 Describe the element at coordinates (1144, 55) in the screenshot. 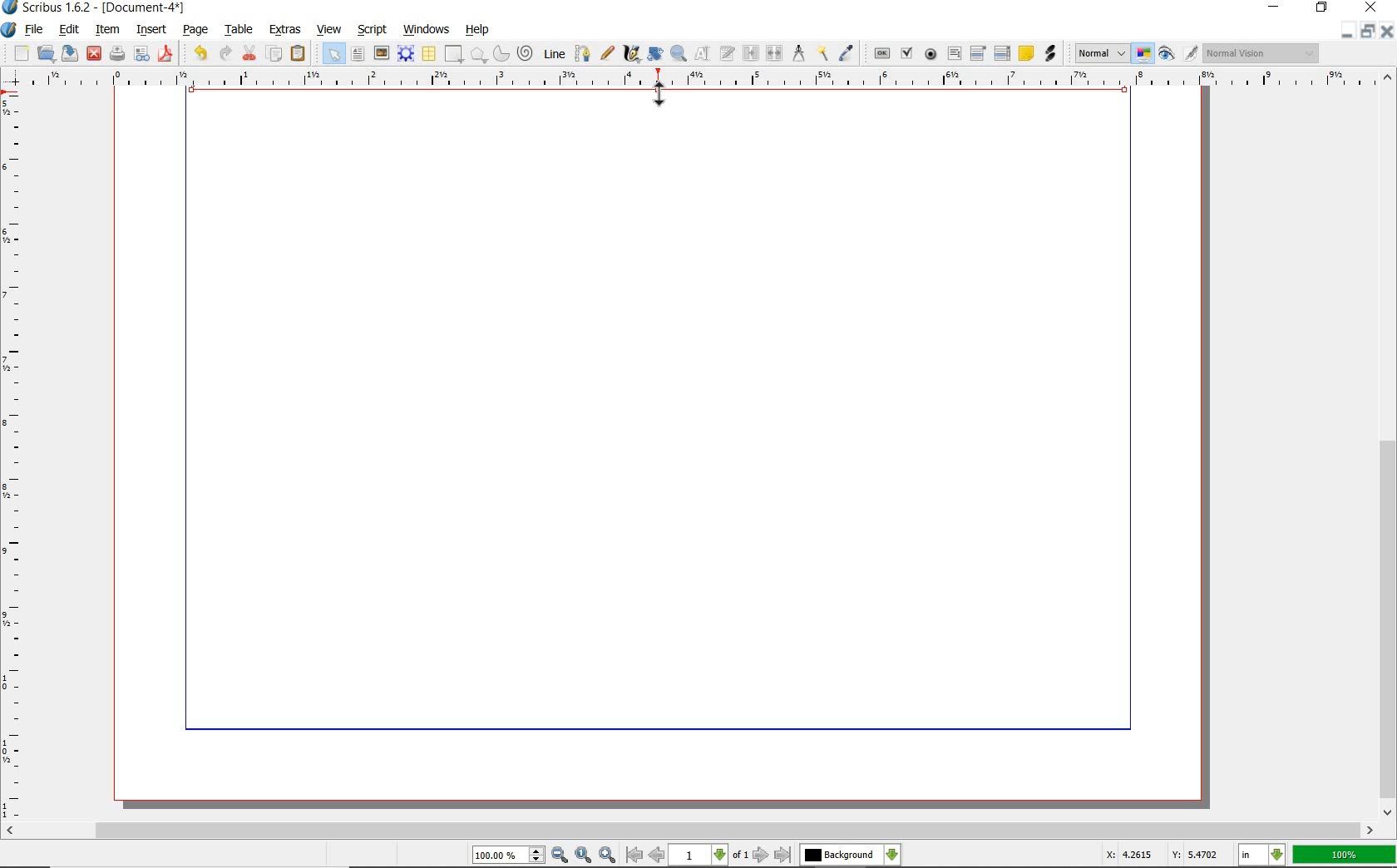

I see `toggle color management` at that location.